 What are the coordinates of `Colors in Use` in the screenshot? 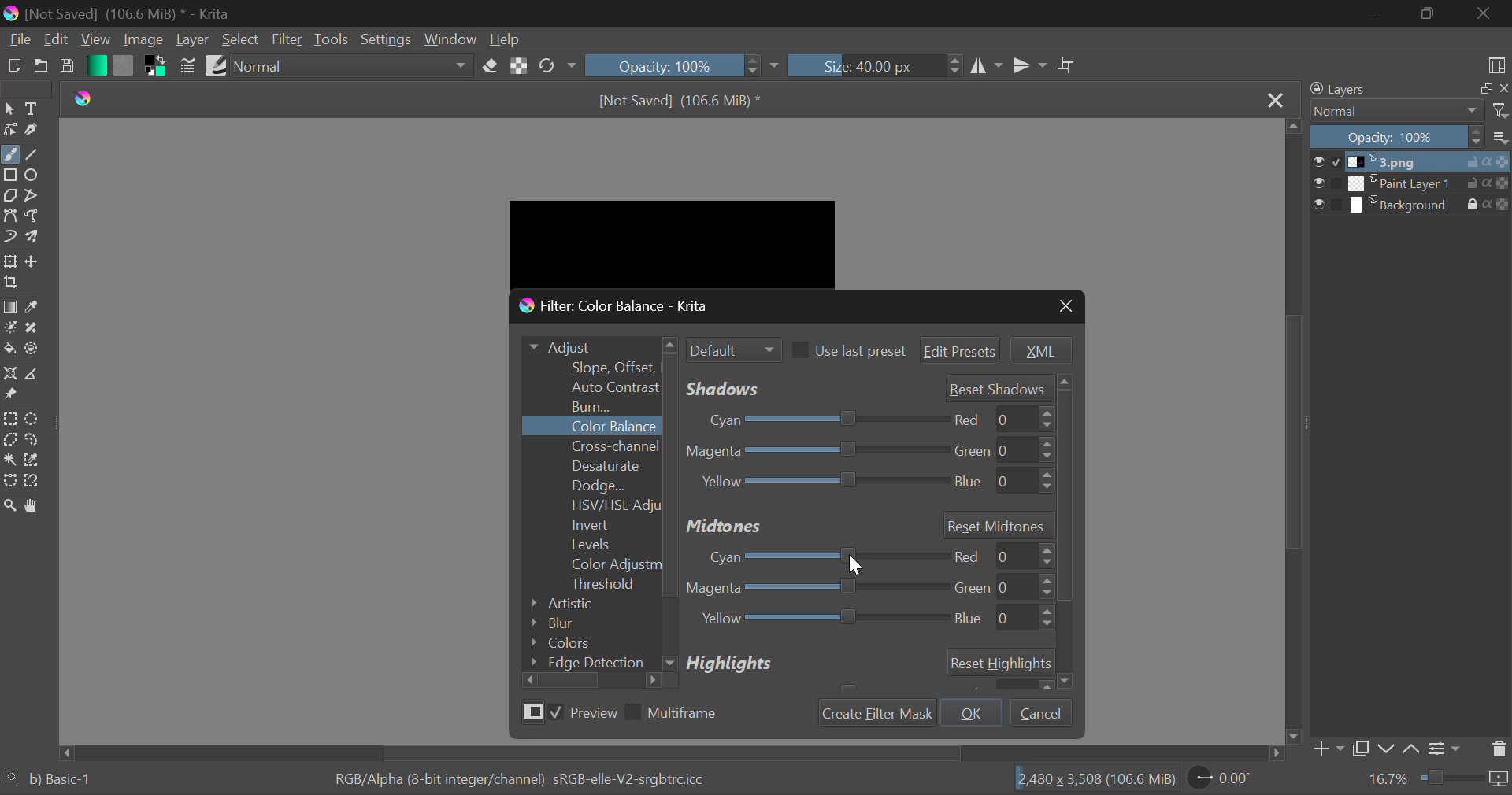 It's located at (156, 65).